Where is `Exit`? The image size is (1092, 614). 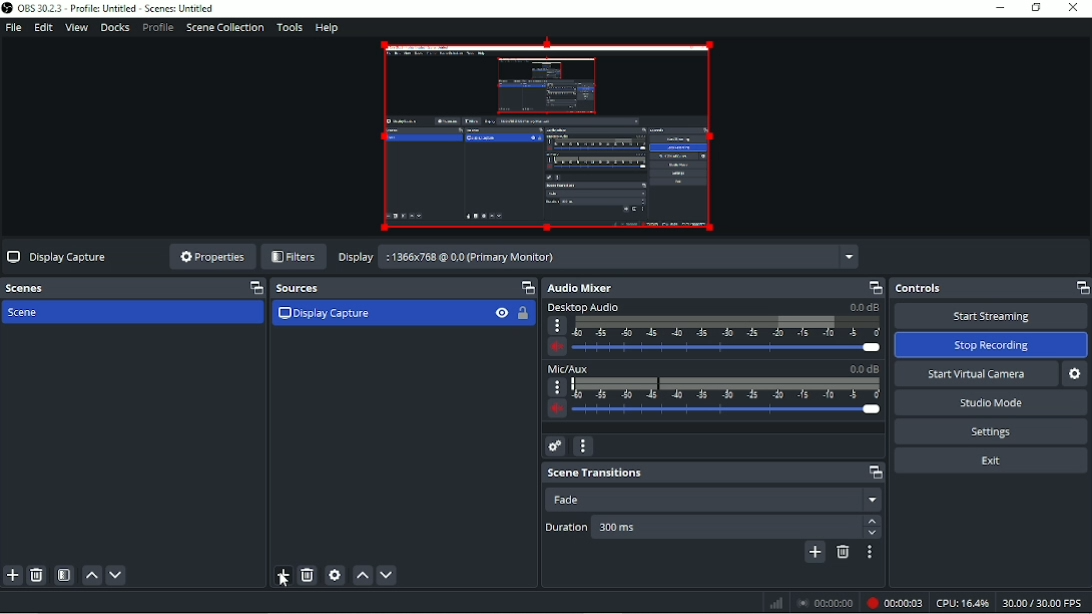 Exit is located at coordinates (991, 460).